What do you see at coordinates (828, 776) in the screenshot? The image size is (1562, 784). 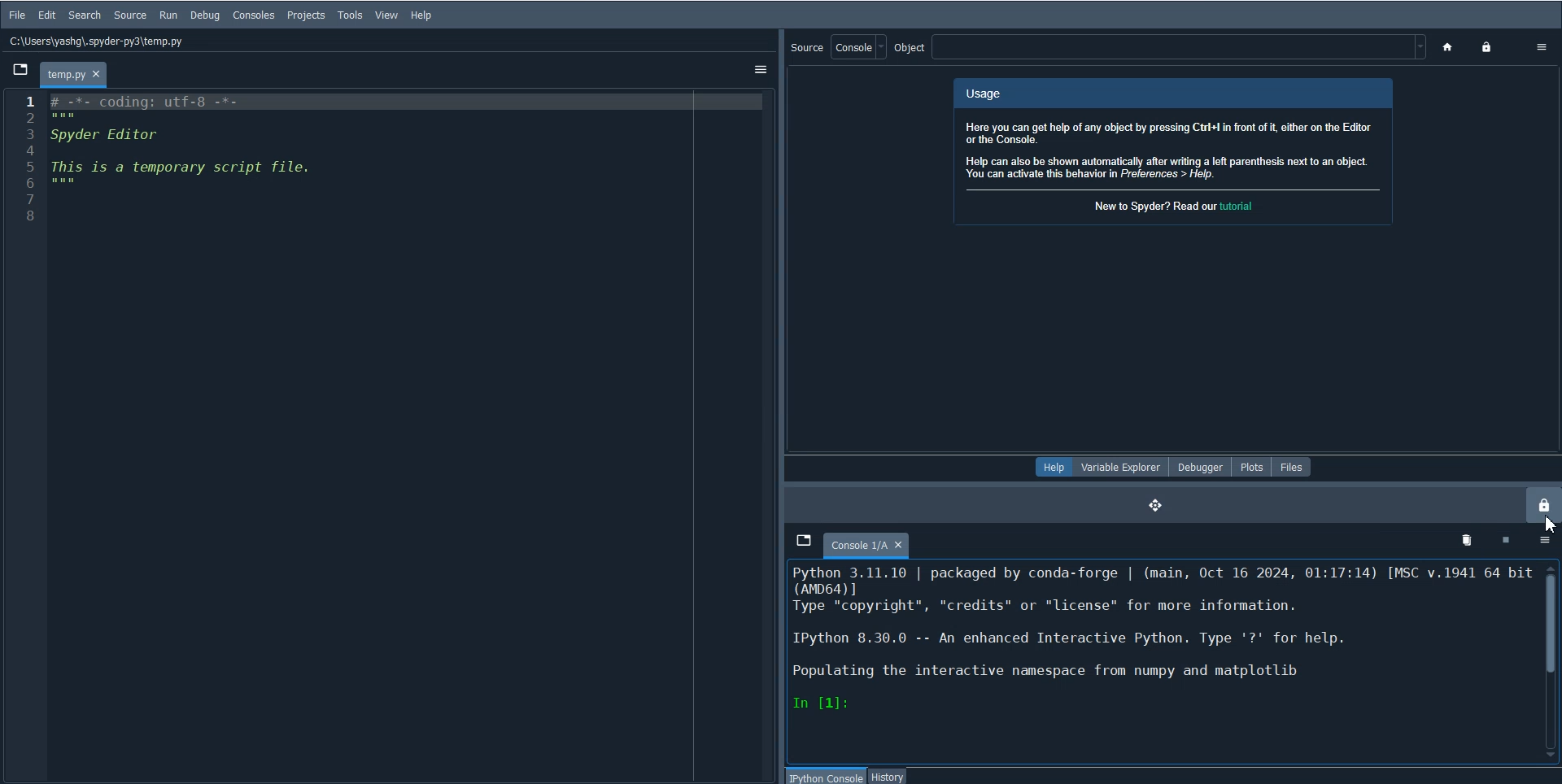 I see `IPython console` at bounding box center [828, 776].